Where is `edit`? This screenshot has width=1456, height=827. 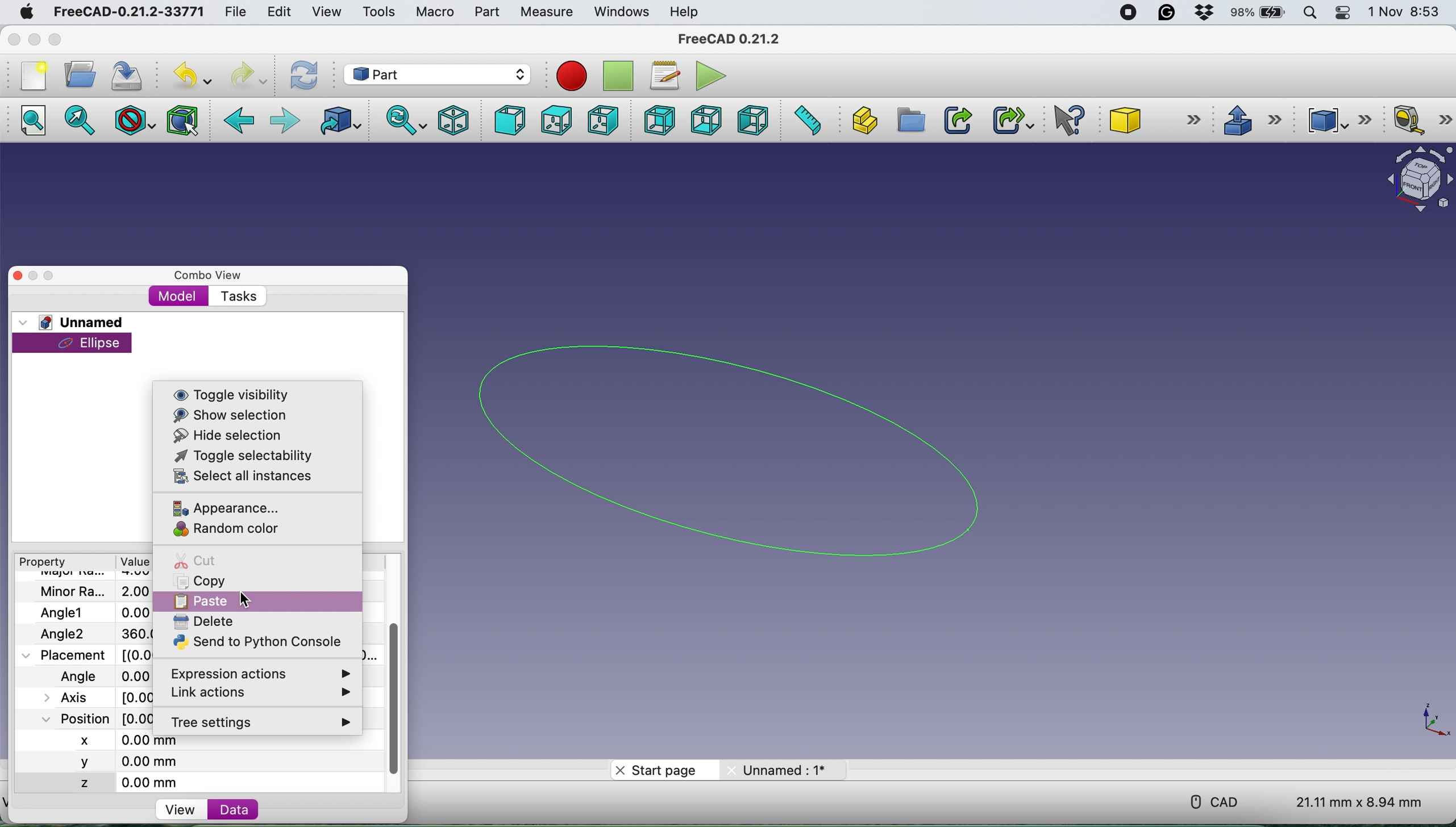
edit is located at coordinates (279, 14).